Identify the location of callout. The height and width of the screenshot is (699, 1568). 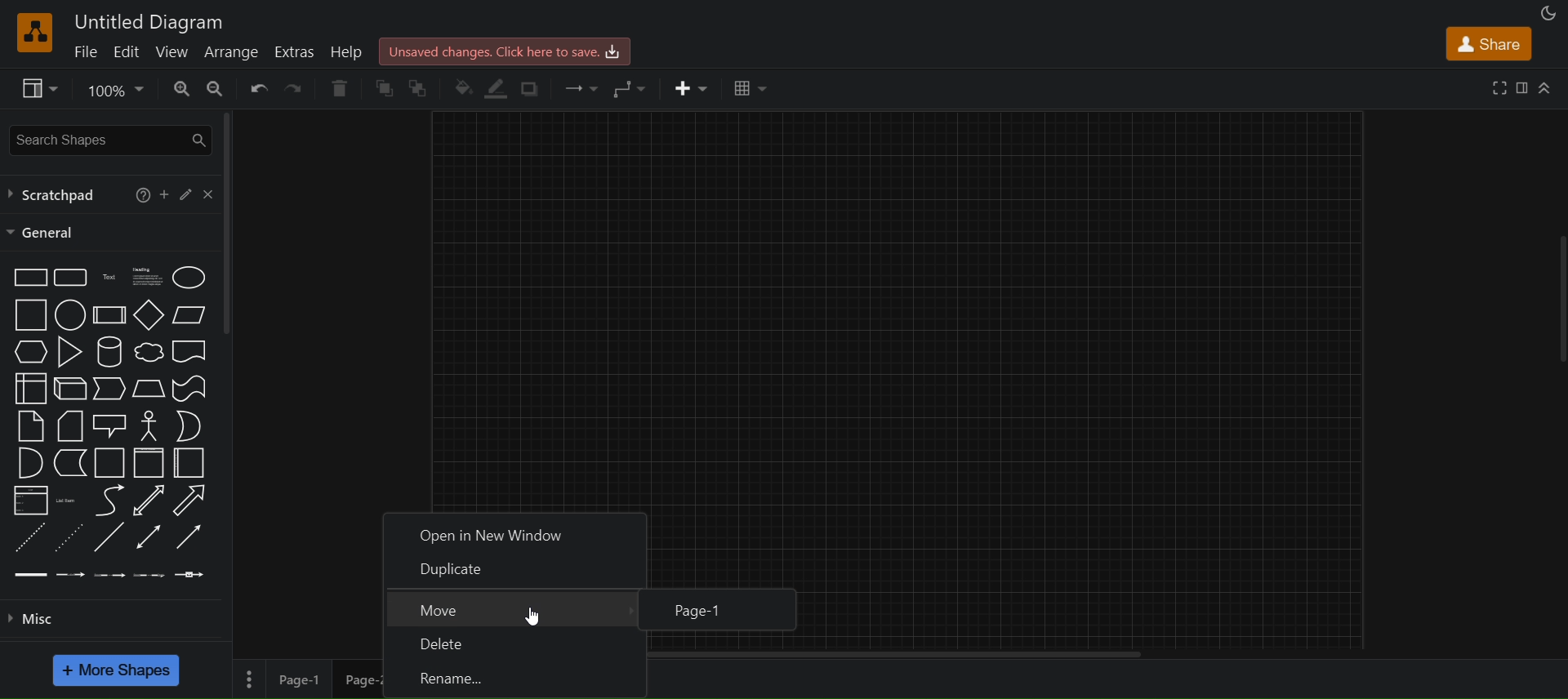
(109, 425).